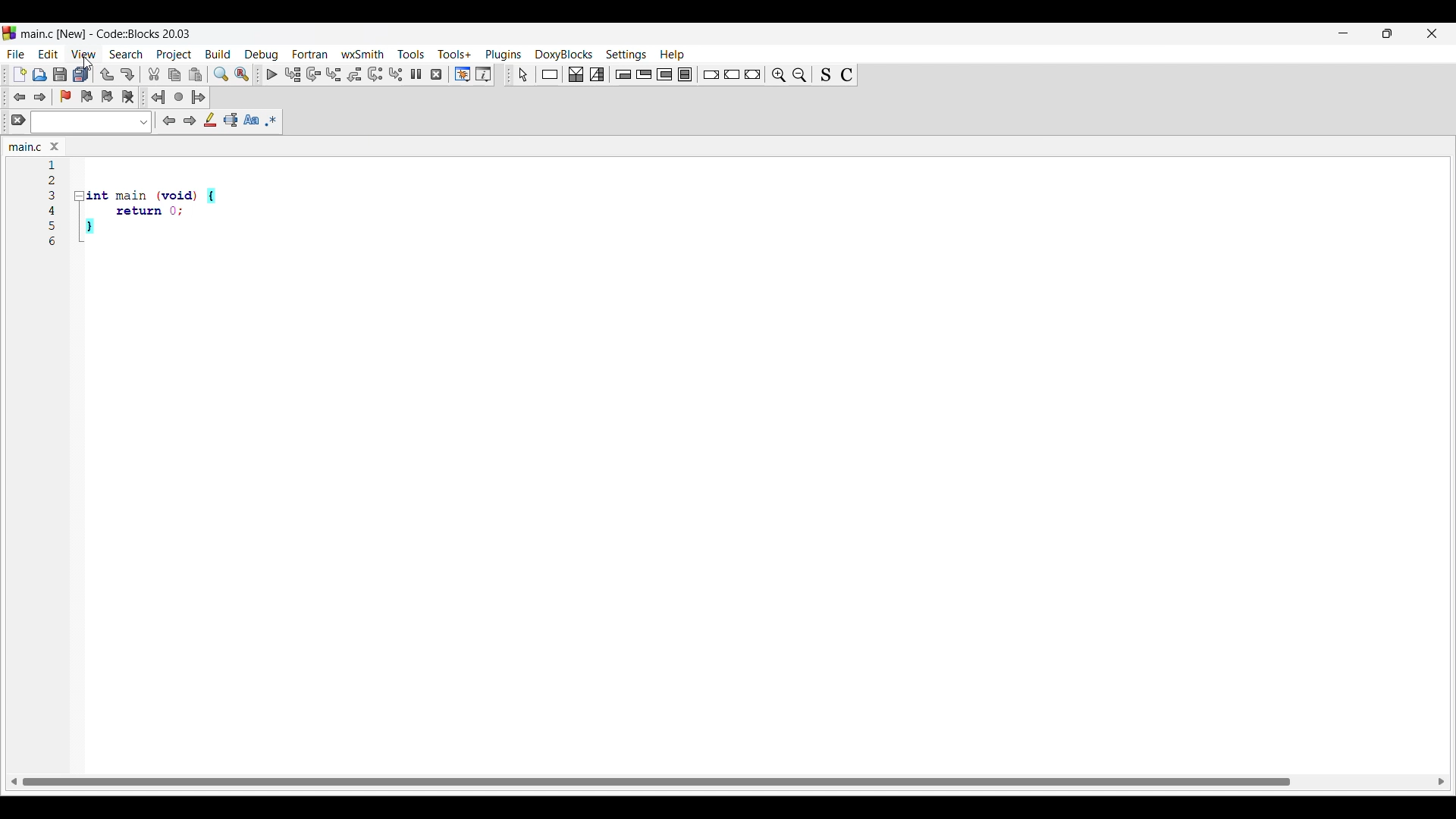 The image size is (1456, 819). I want to click on Replace, so click(242, 74).